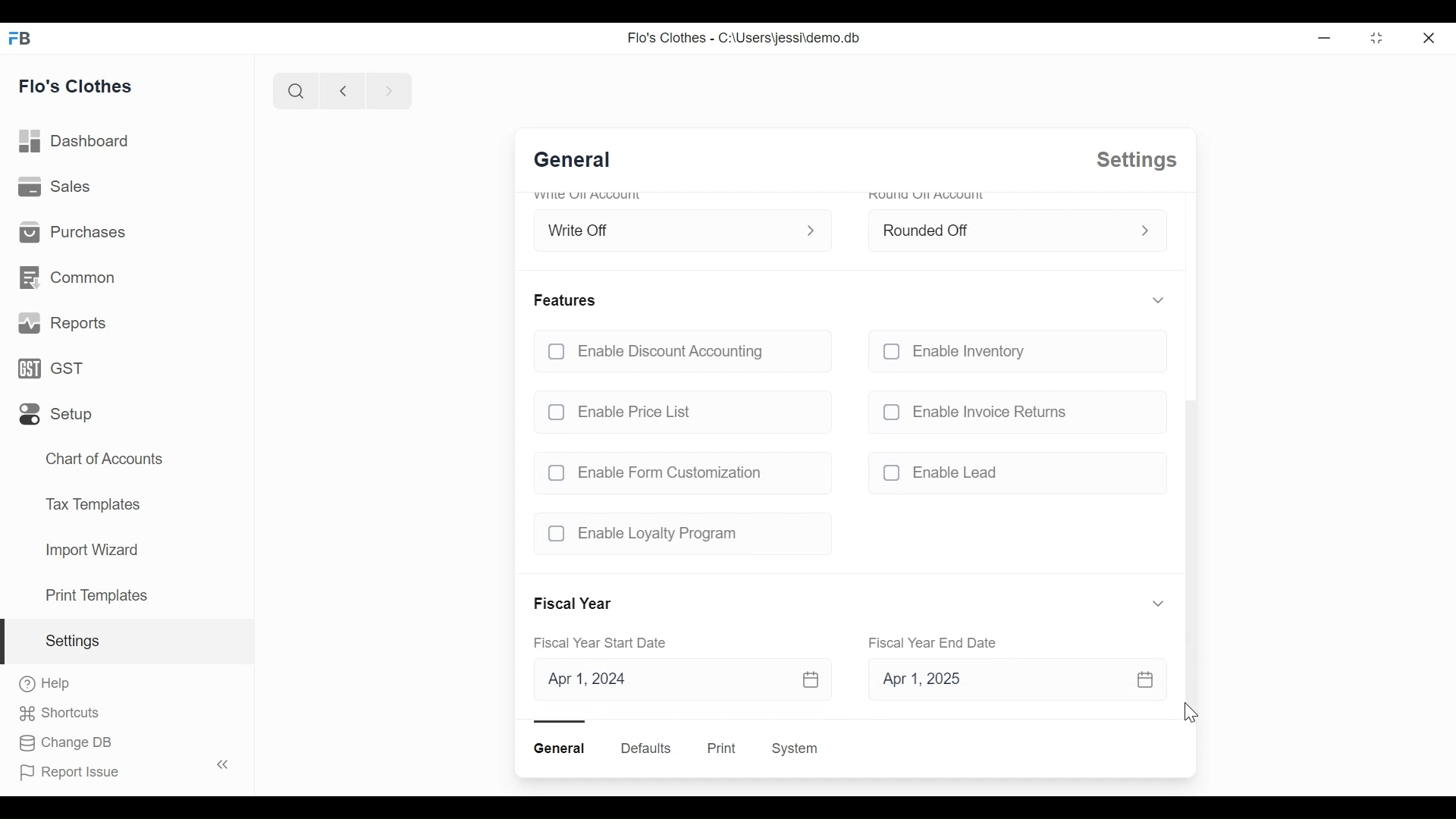 The height and width of the screenshot is (819, 1456). I want to click on Expand, so click(814, 229).